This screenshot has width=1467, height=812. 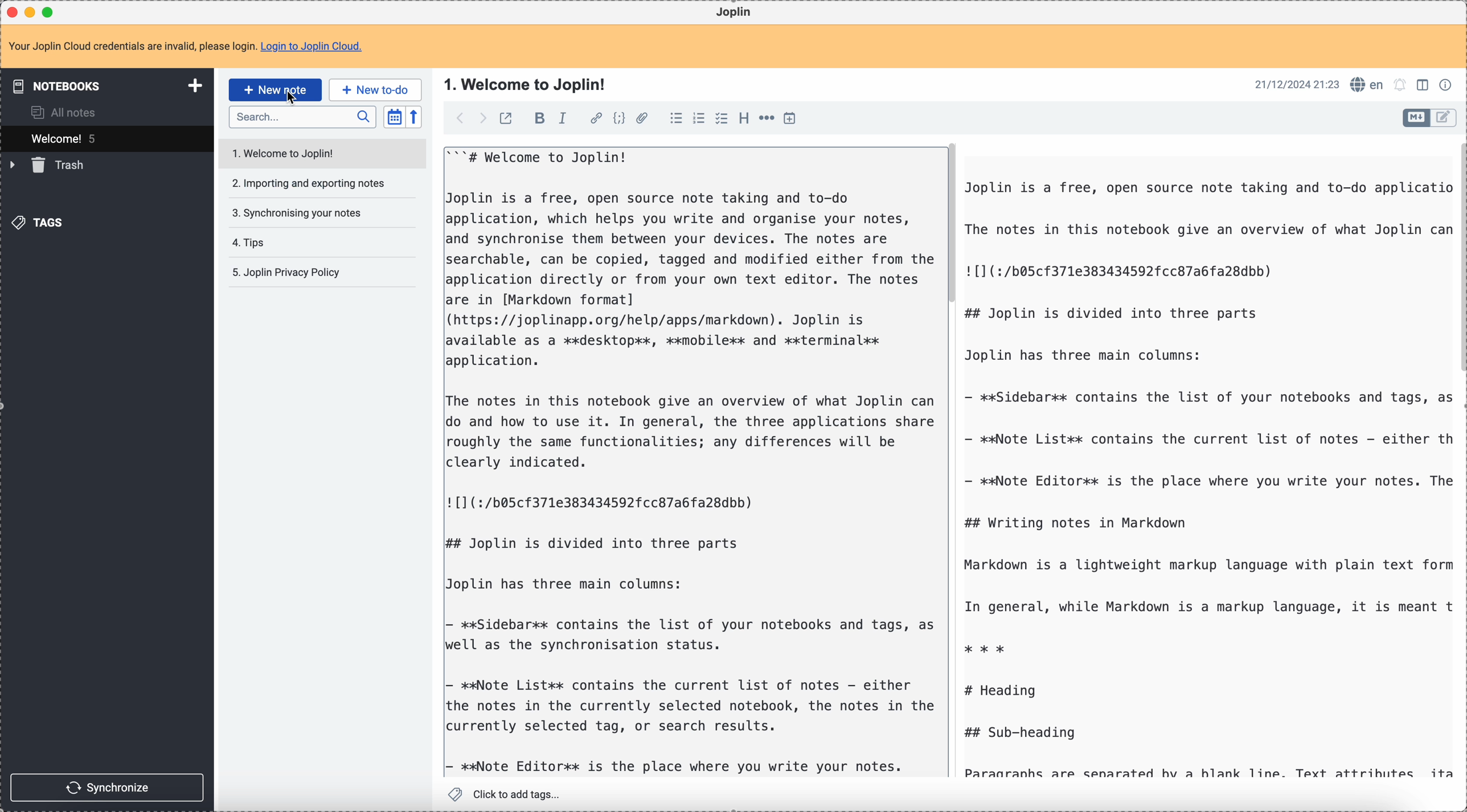 What do you see at coordinates (507, 793) in the screenshot?
I see `click to add tags` at bounding box center [507, 793].